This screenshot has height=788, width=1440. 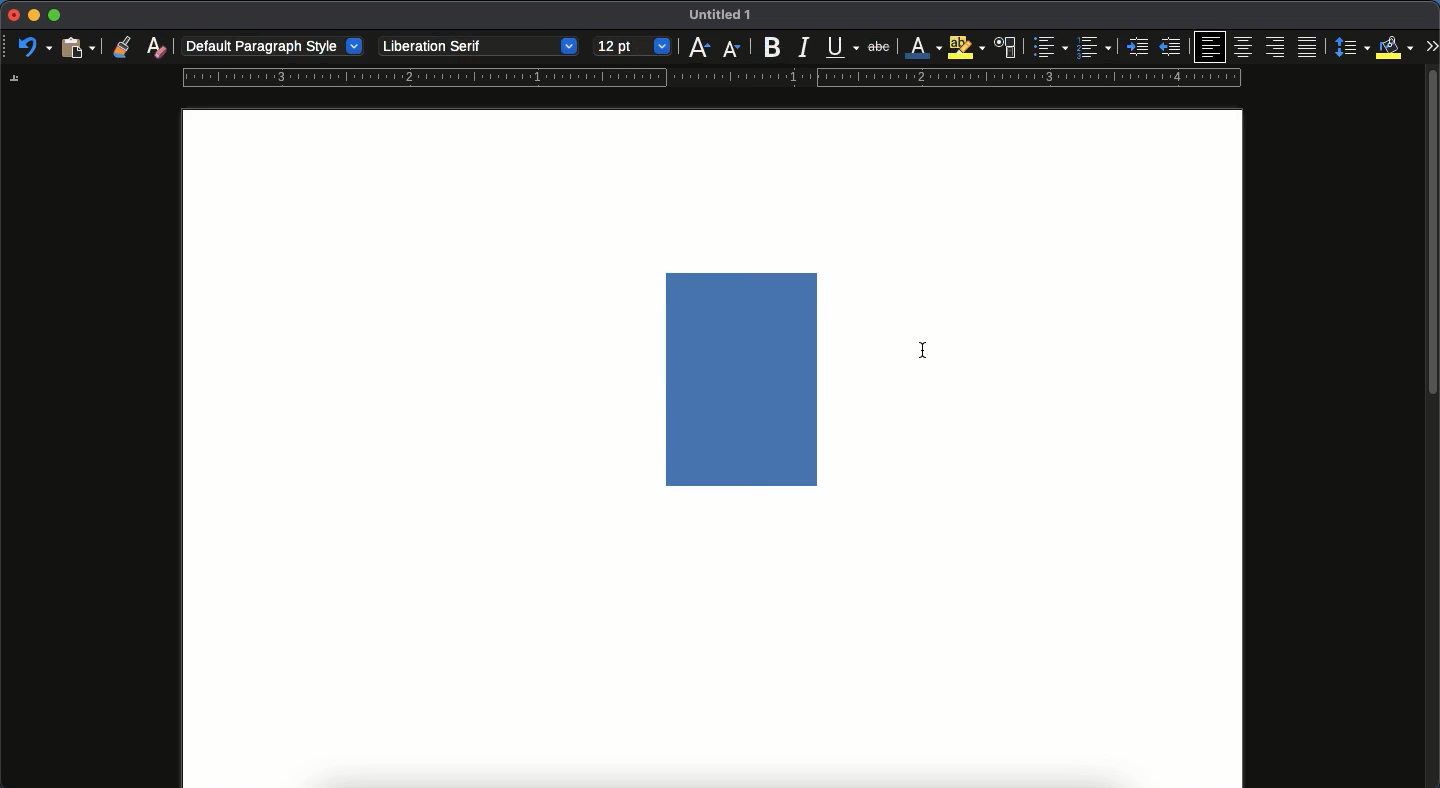 I want to click on underline, so click(x=842, y=49).